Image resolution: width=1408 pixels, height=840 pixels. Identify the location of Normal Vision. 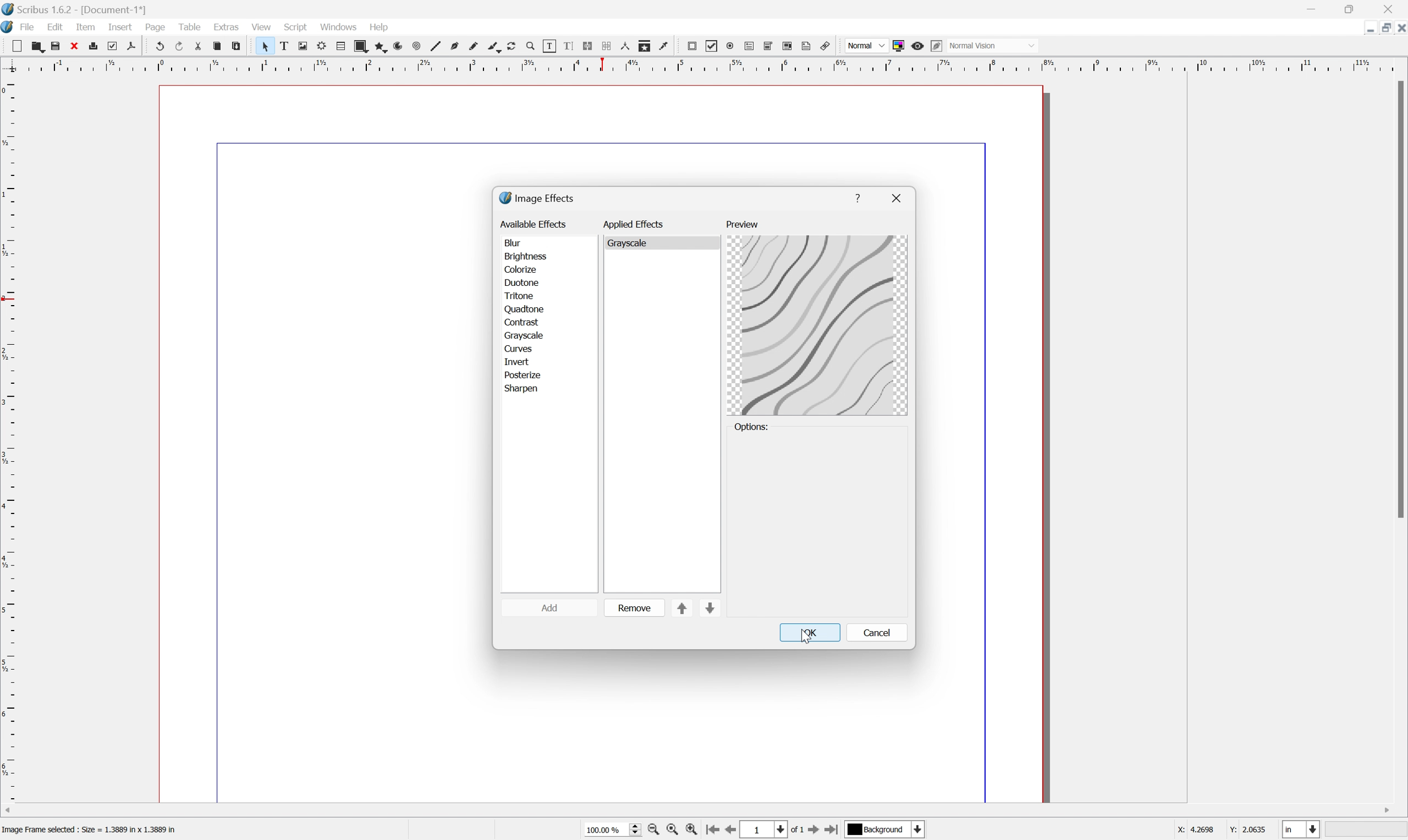
(995, 44).